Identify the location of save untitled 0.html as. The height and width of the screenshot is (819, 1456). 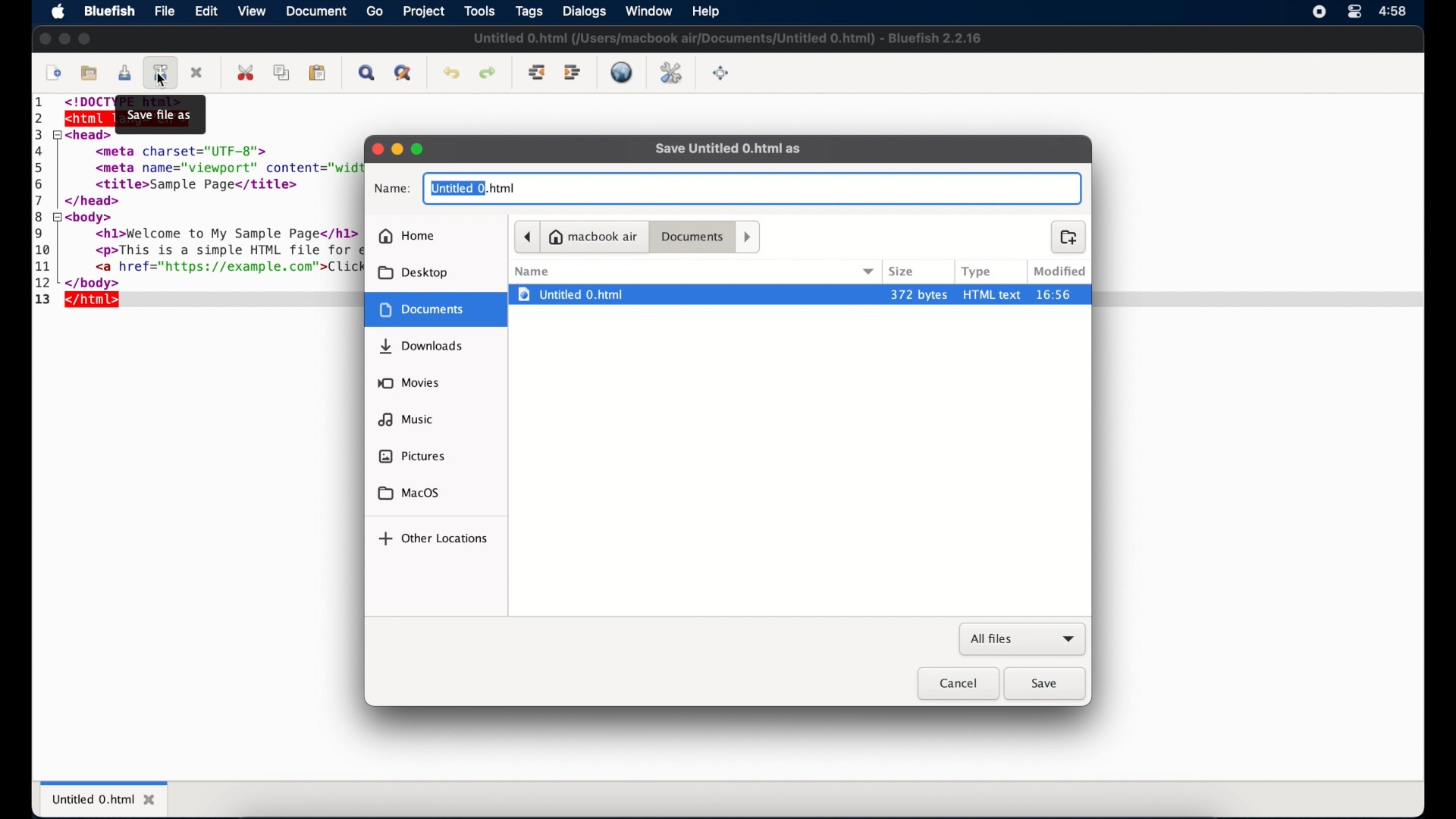
(728, 149).